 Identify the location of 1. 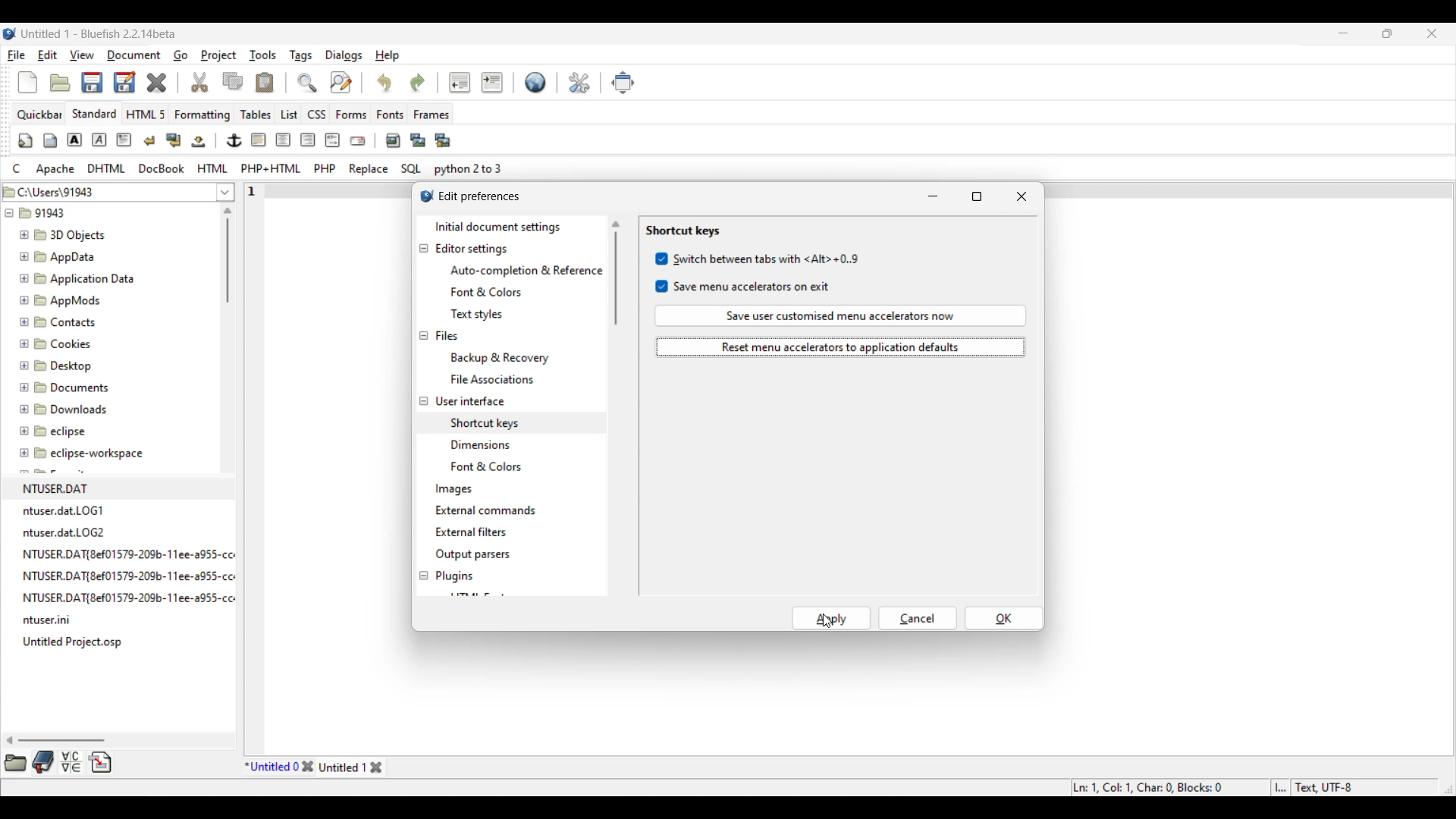
(254, 188).